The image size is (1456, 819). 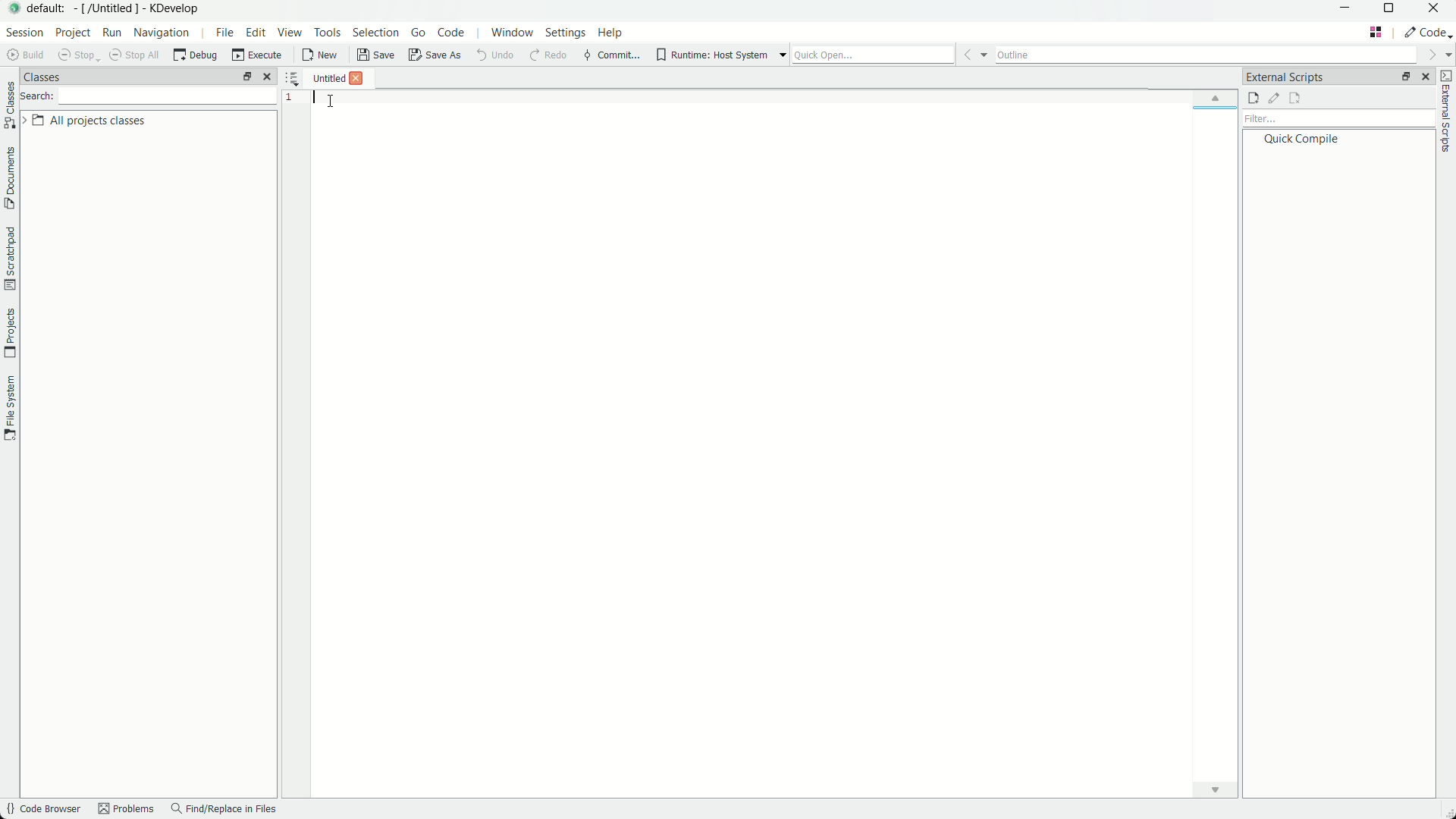 What do you see at coordinates (71, 35) in the screenshot?
I see `project` at bounding box center [71, 35].